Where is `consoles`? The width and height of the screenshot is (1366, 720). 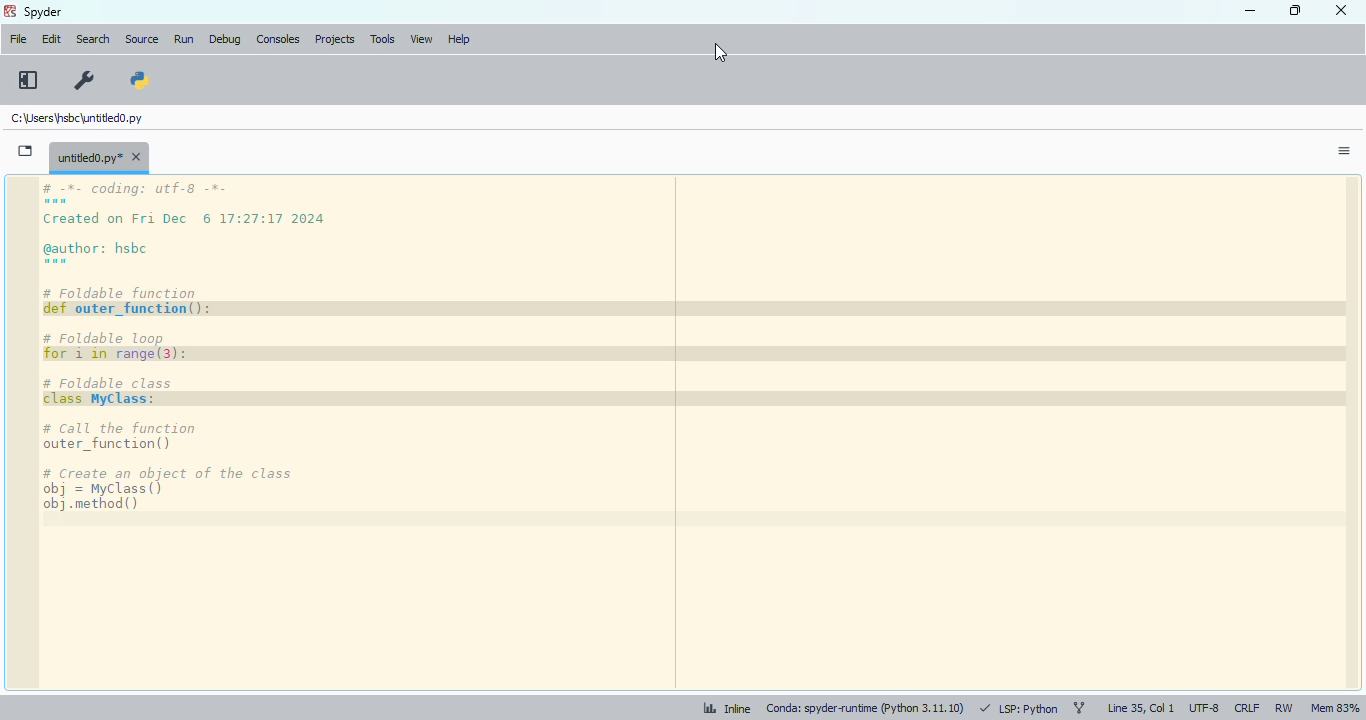 consoles is located at coordinates (279, 39).